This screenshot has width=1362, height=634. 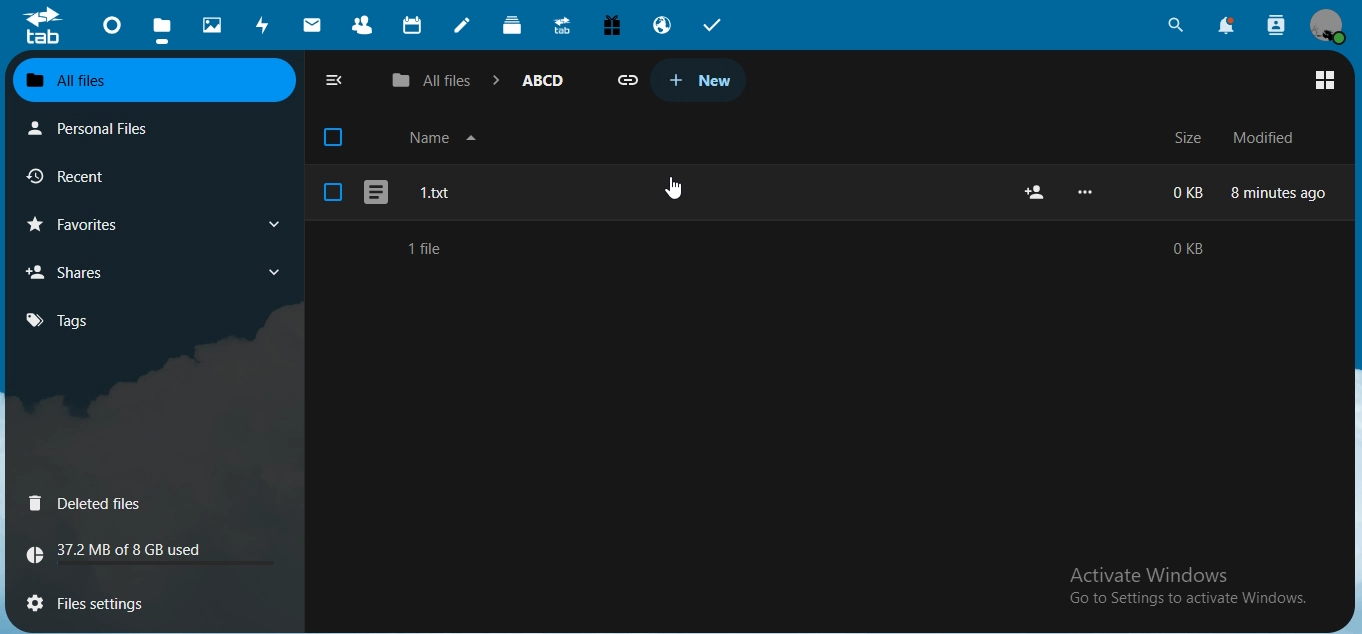 What do you see at coordinates (414, 26) in the screenshot?
I see `calendar` at bounding box center [414, 26].